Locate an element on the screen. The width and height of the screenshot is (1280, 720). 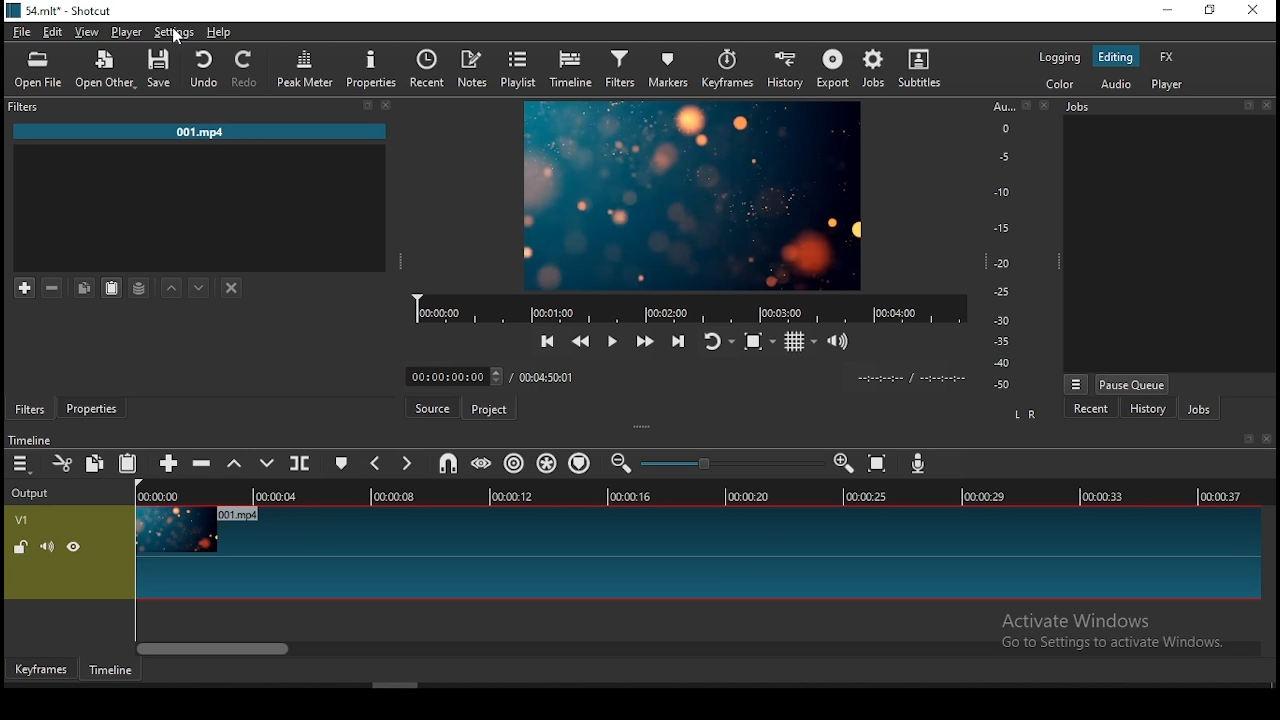
open other is located at coordinates (107, 68).